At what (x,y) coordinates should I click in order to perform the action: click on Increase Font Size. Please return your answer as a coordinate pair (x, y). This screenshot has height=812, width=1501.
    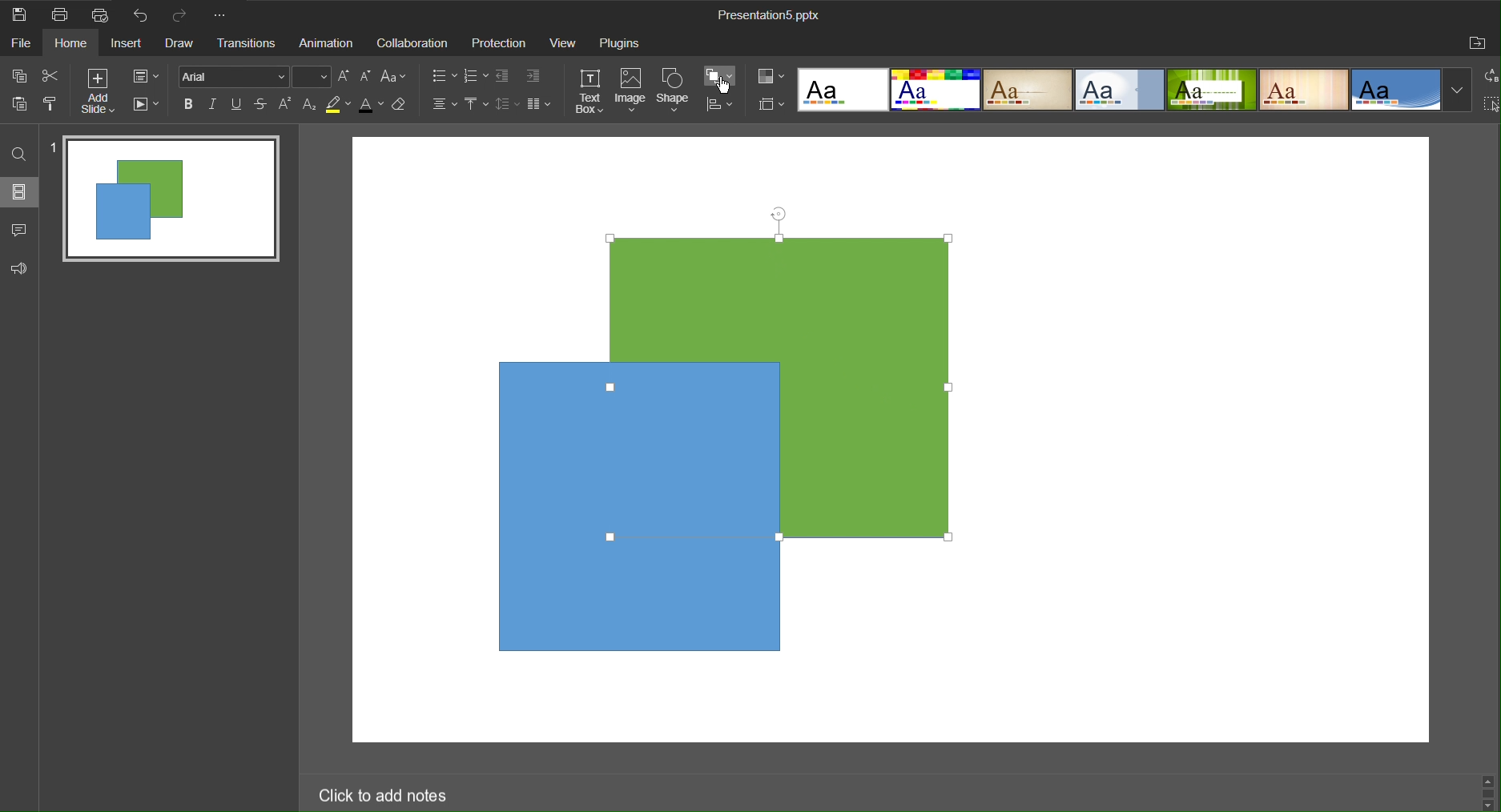
    Looking at the image, I should click on (345, 78).